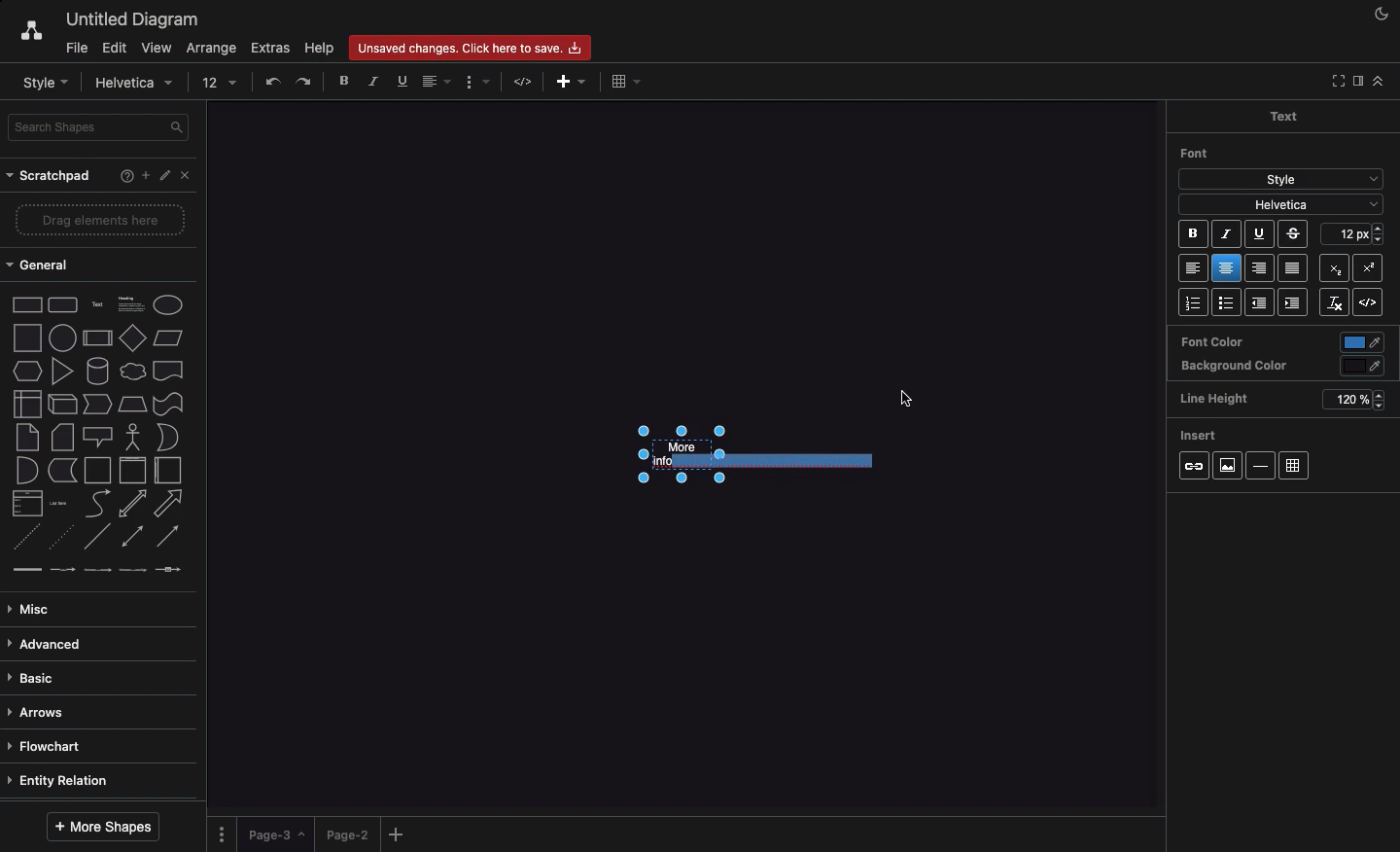 Image resolution: width=1400 pixels, height=852 pixels. Describe the element at coordinates (1226, 465) in the screenshot. I see `Image` at that location.